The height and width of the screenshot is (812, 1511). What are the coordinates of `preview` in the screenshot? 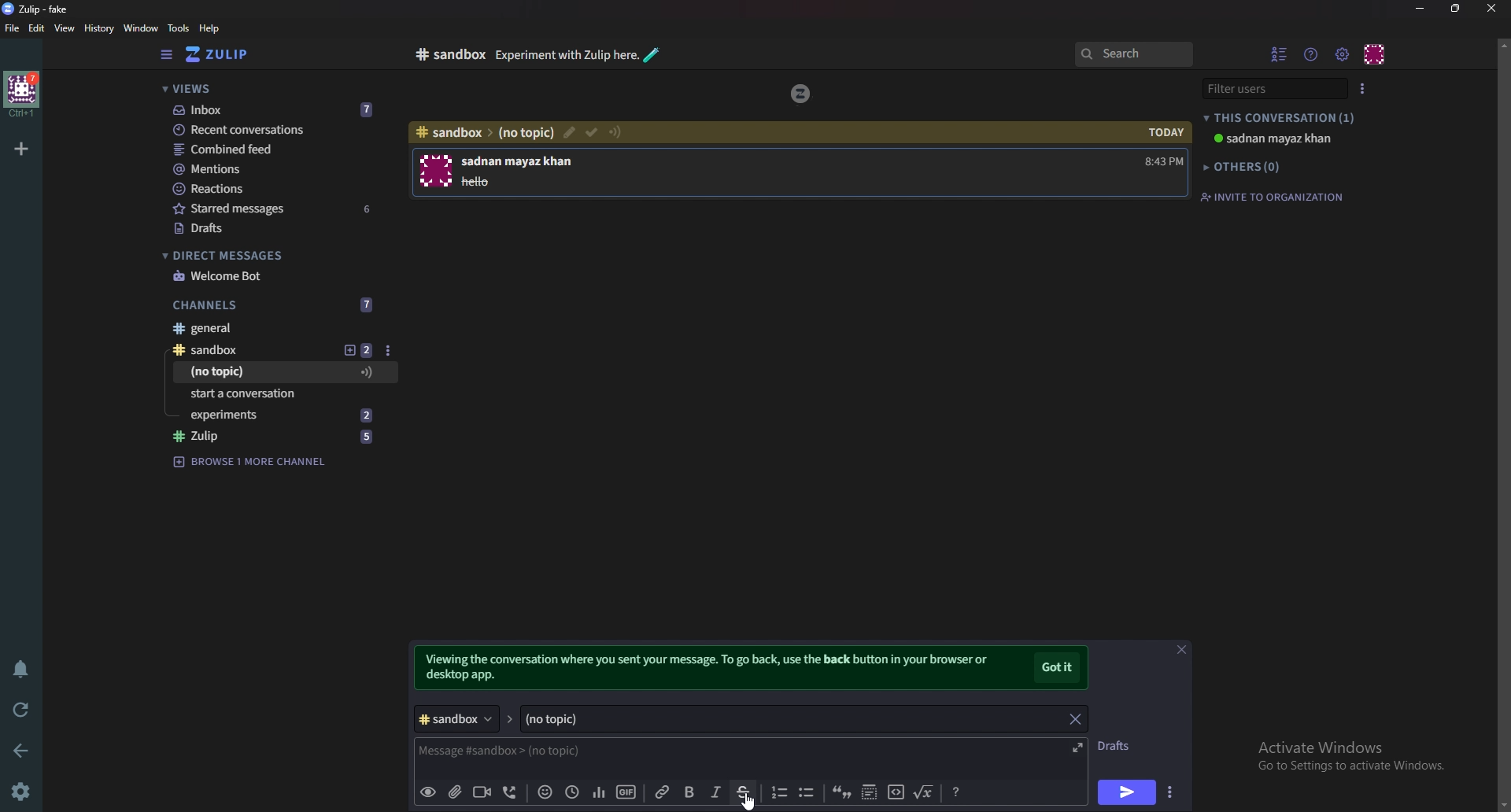 It's located at (428, 794).